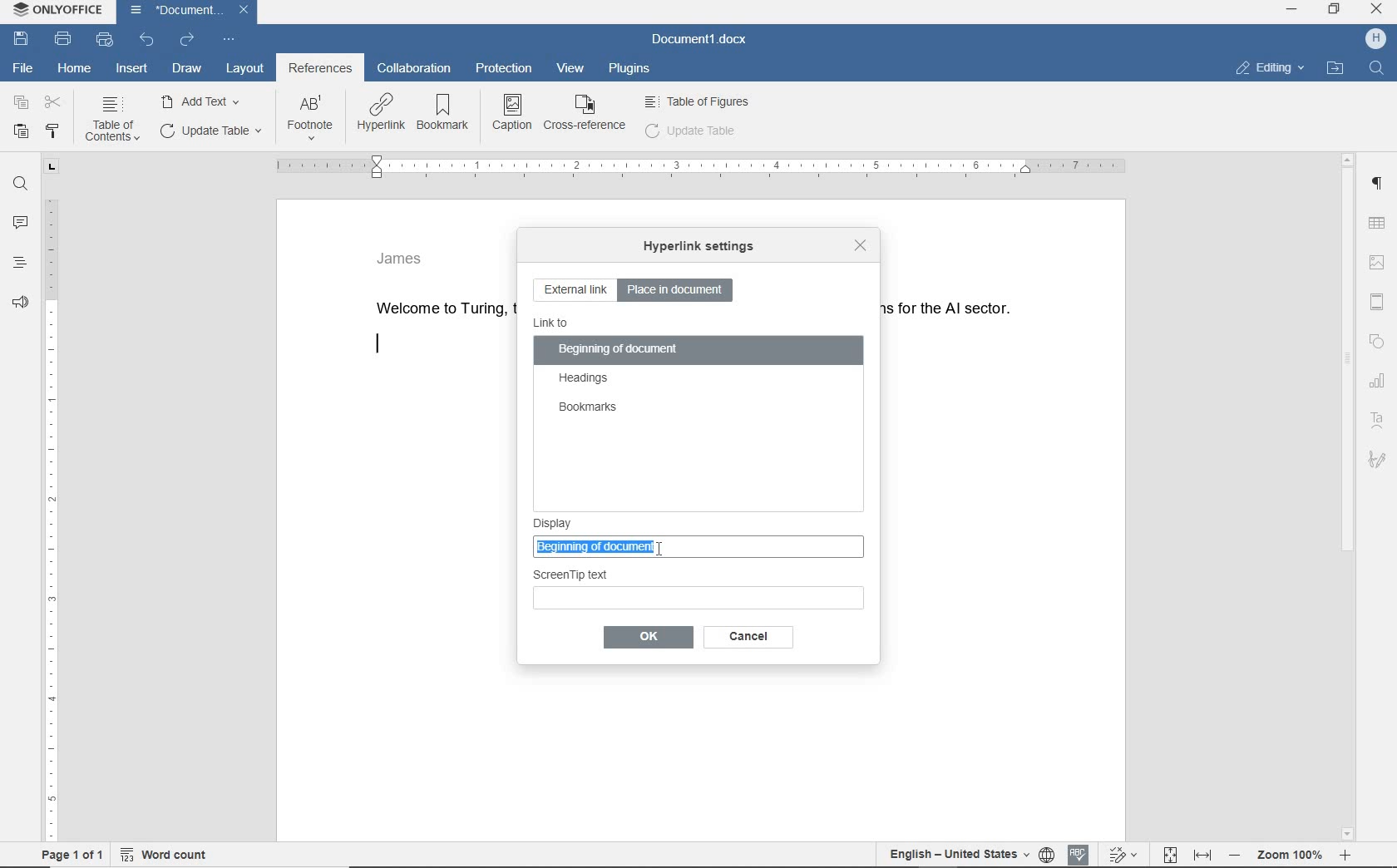 The image size is (1397, 868). I want to click on quick print, so click(103, 39).